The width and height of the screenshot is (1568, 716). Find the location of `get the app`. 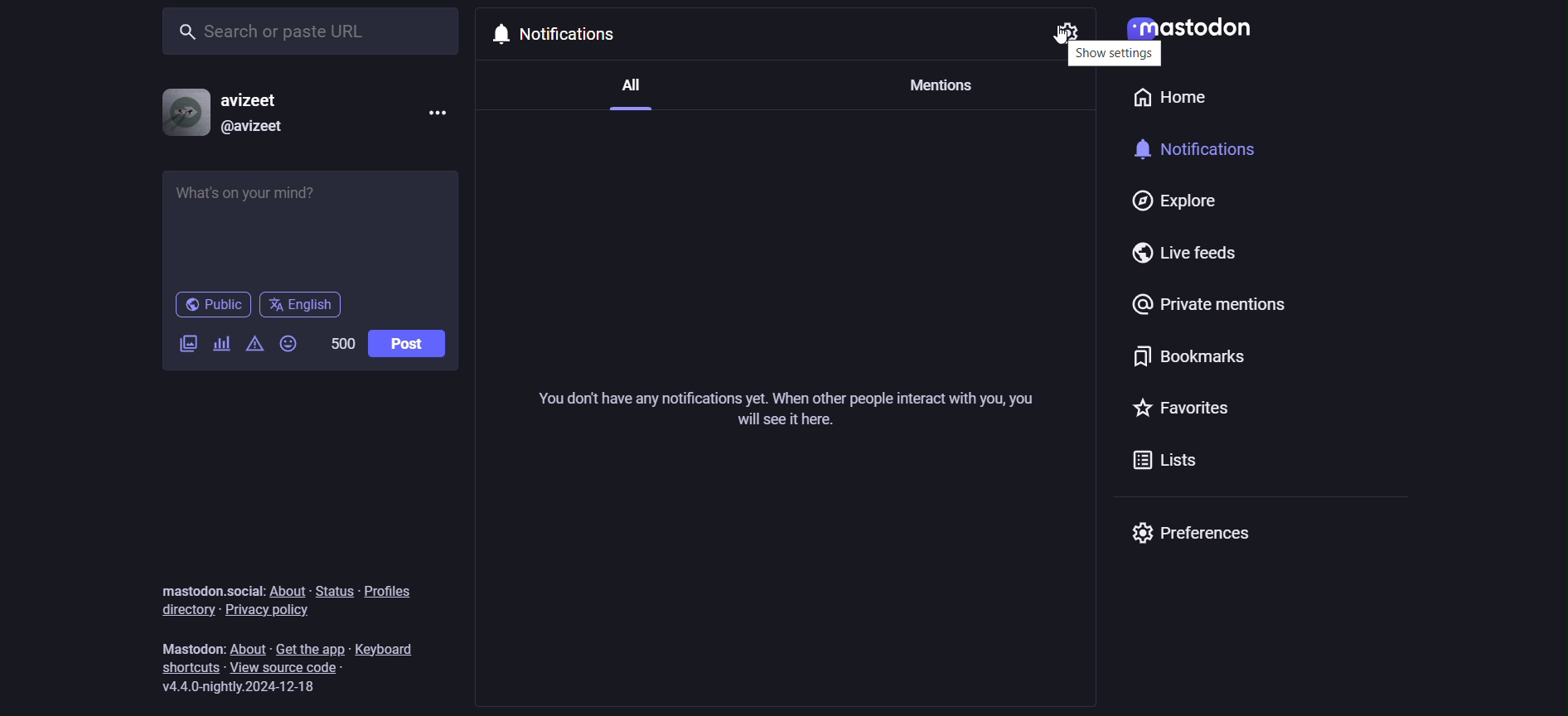

get the app is located at coordinates (309, 647).